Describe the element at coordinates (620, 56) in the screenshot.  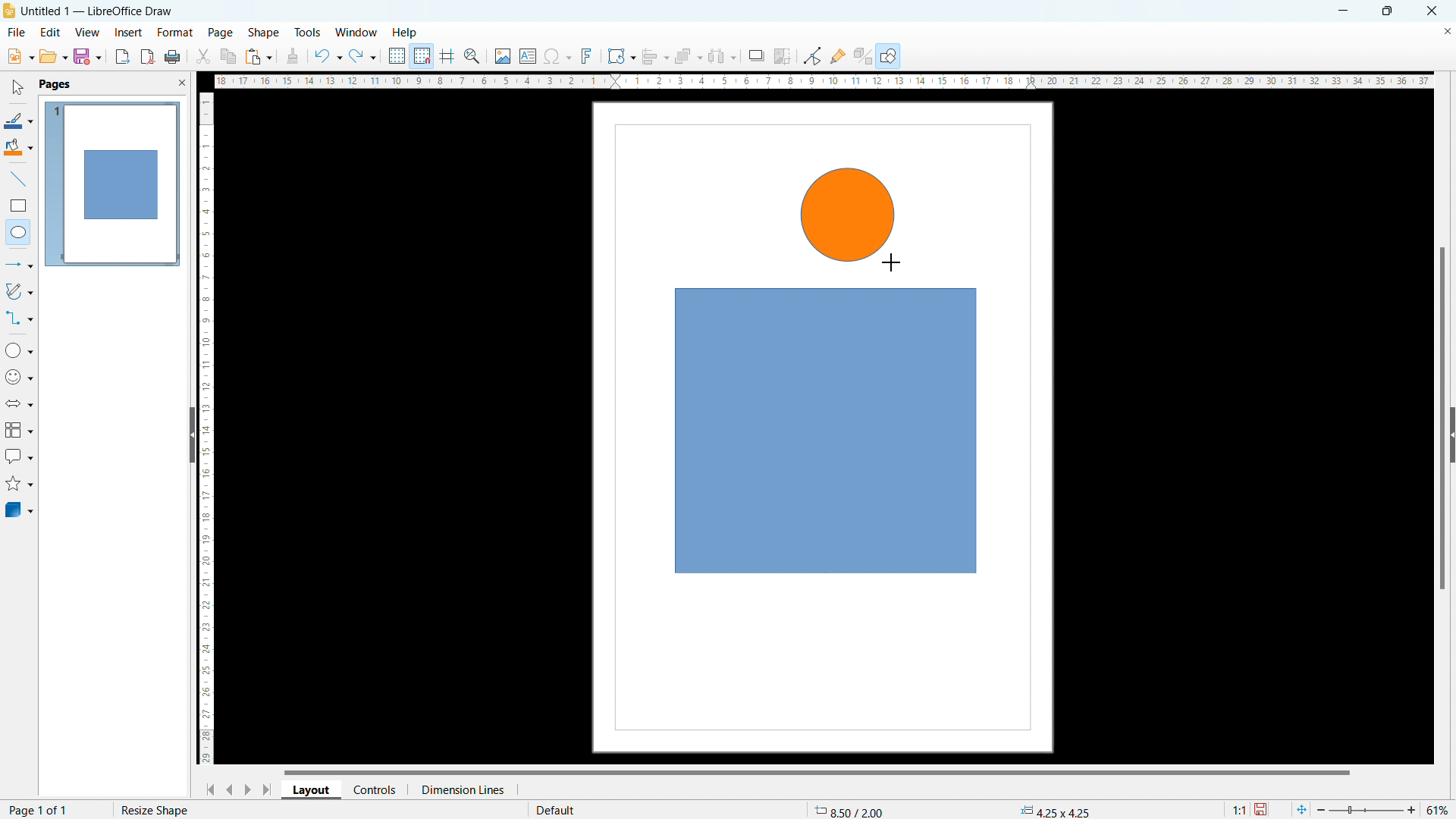
I see `transformations` at that location.